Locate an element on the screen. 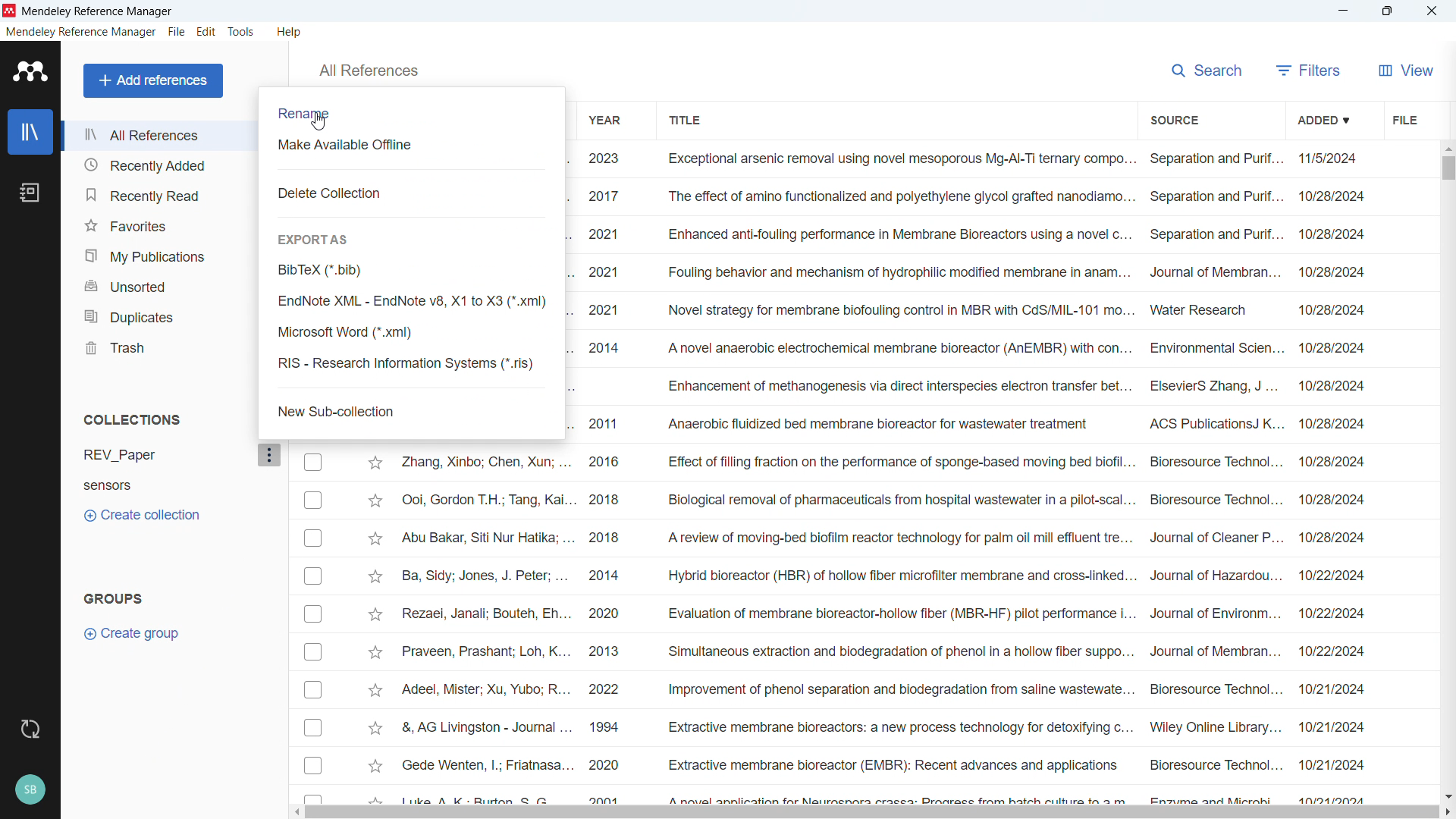  Title is located at coordinates (684, 118).